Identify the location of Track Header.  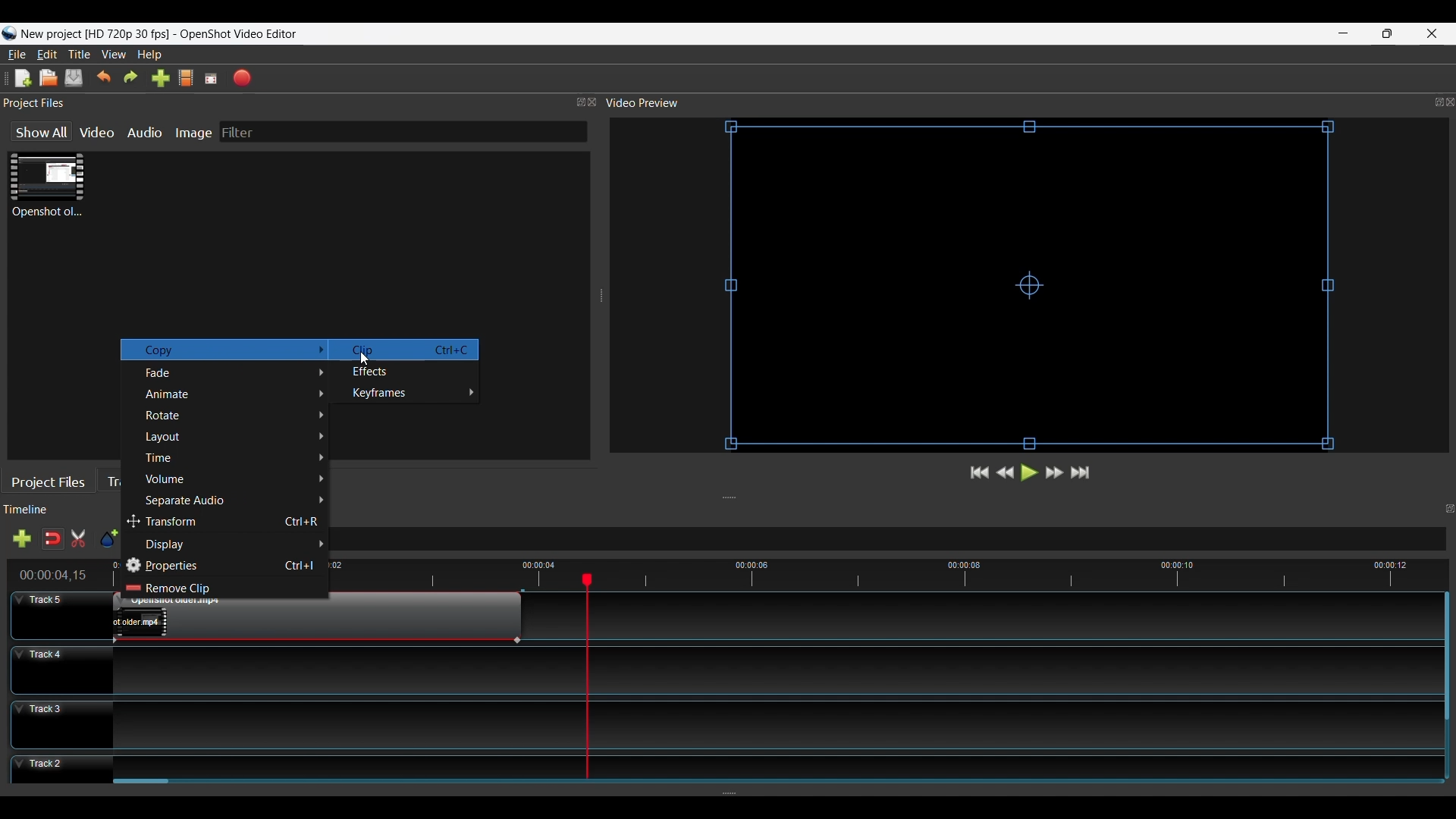
(60, 668).